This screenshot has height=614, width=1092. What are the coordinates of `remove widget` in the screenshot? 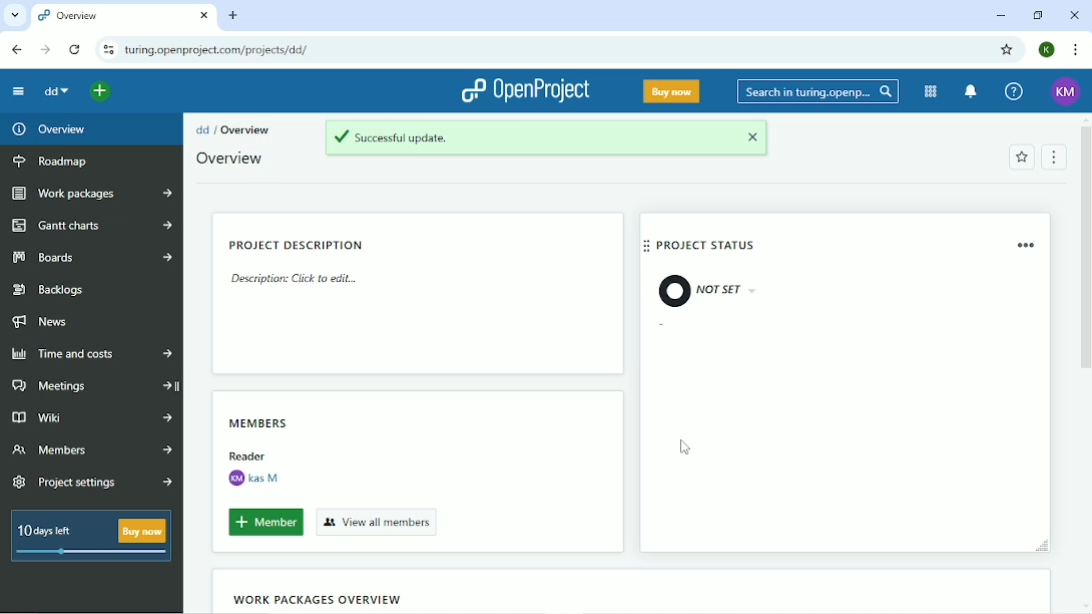 It's located at (1029, 245).